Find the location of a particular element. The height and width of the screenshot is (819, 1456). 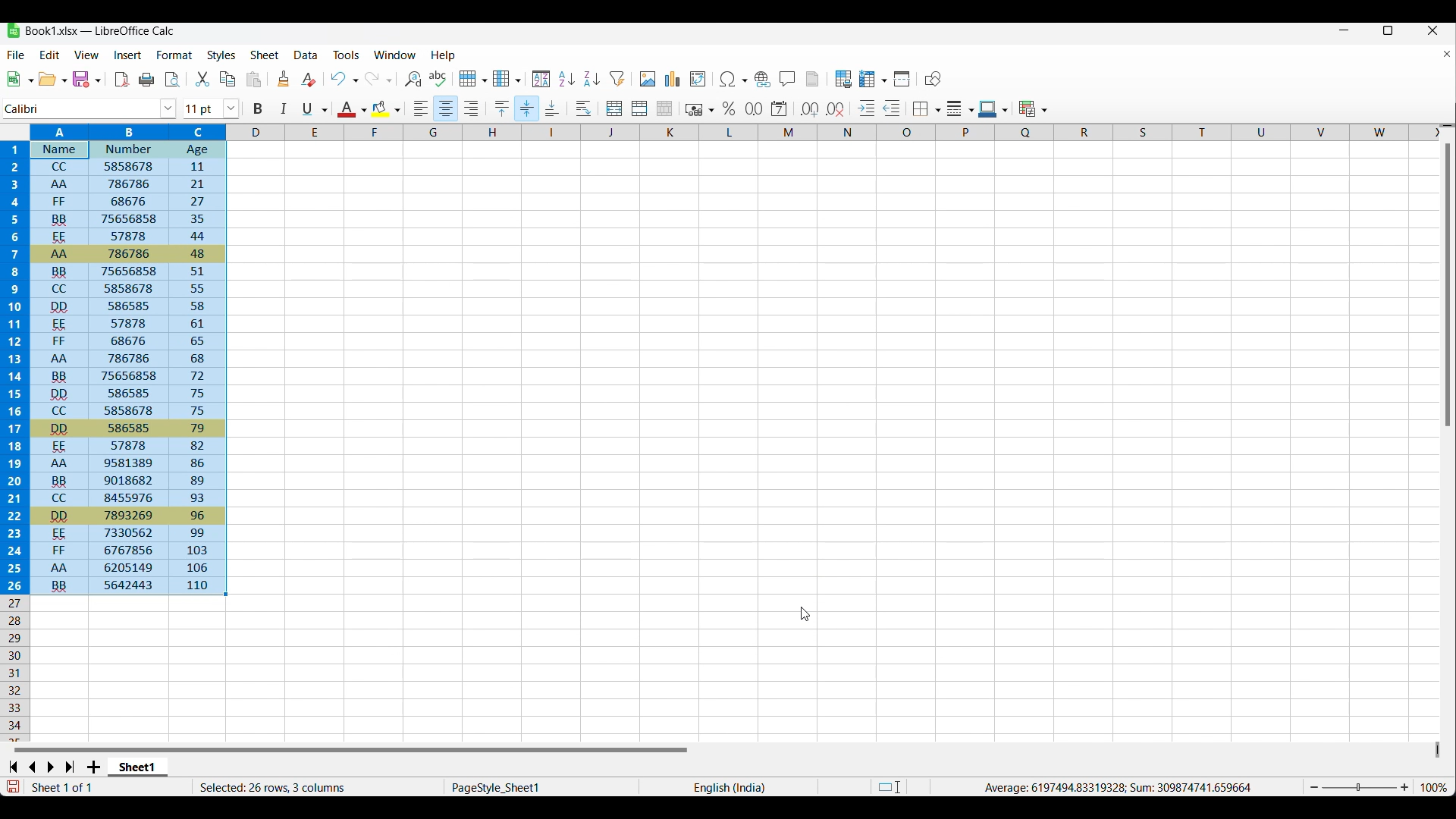

Edit menu is located at coordinates (50, 55).